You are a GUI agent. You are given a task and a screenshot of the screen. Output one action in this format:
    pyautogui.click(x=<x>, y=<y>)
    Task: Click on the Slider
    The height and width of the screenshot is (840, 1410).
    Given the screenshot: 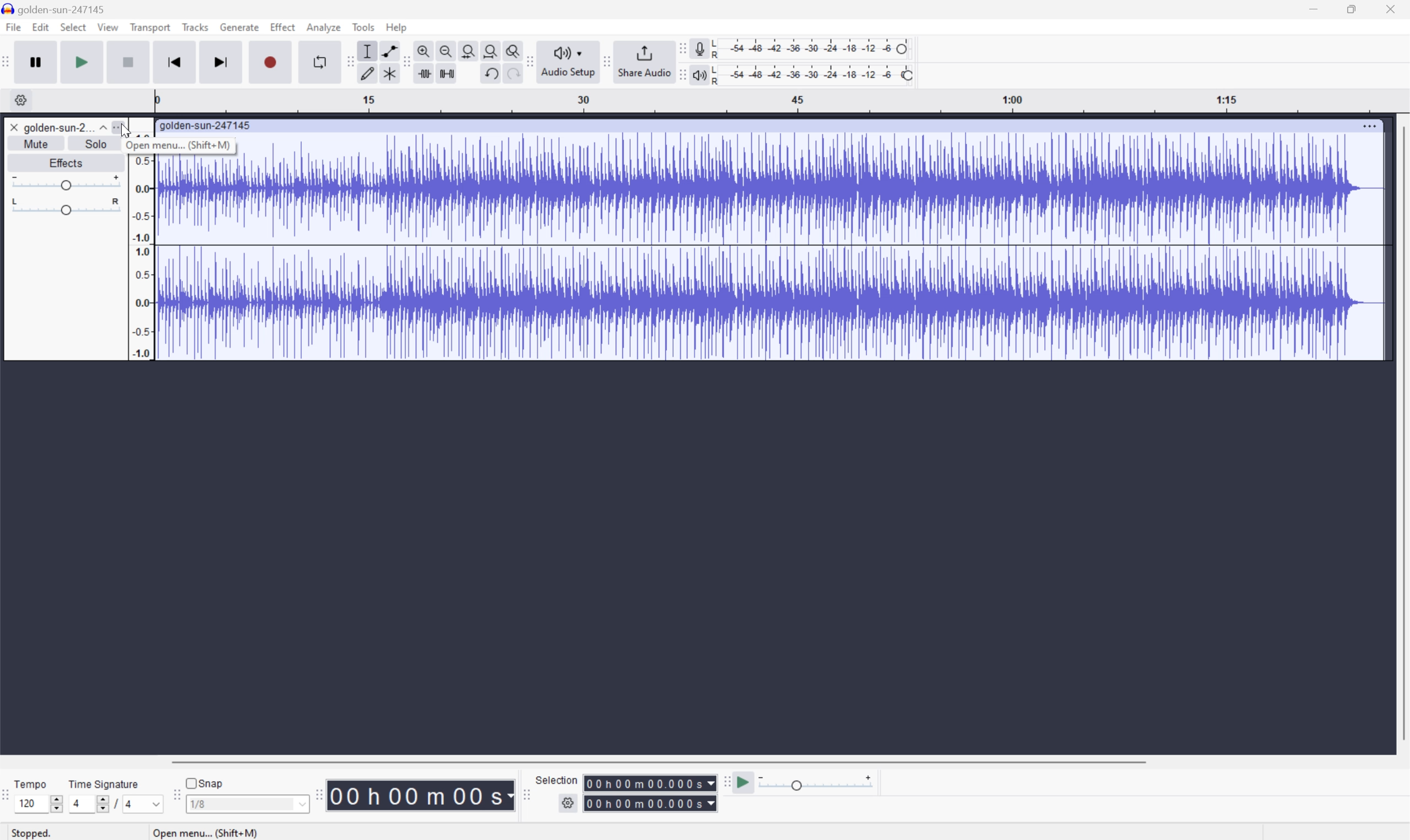 What is the action you would take?
    pyautogui.click(x=65, y=207)
    